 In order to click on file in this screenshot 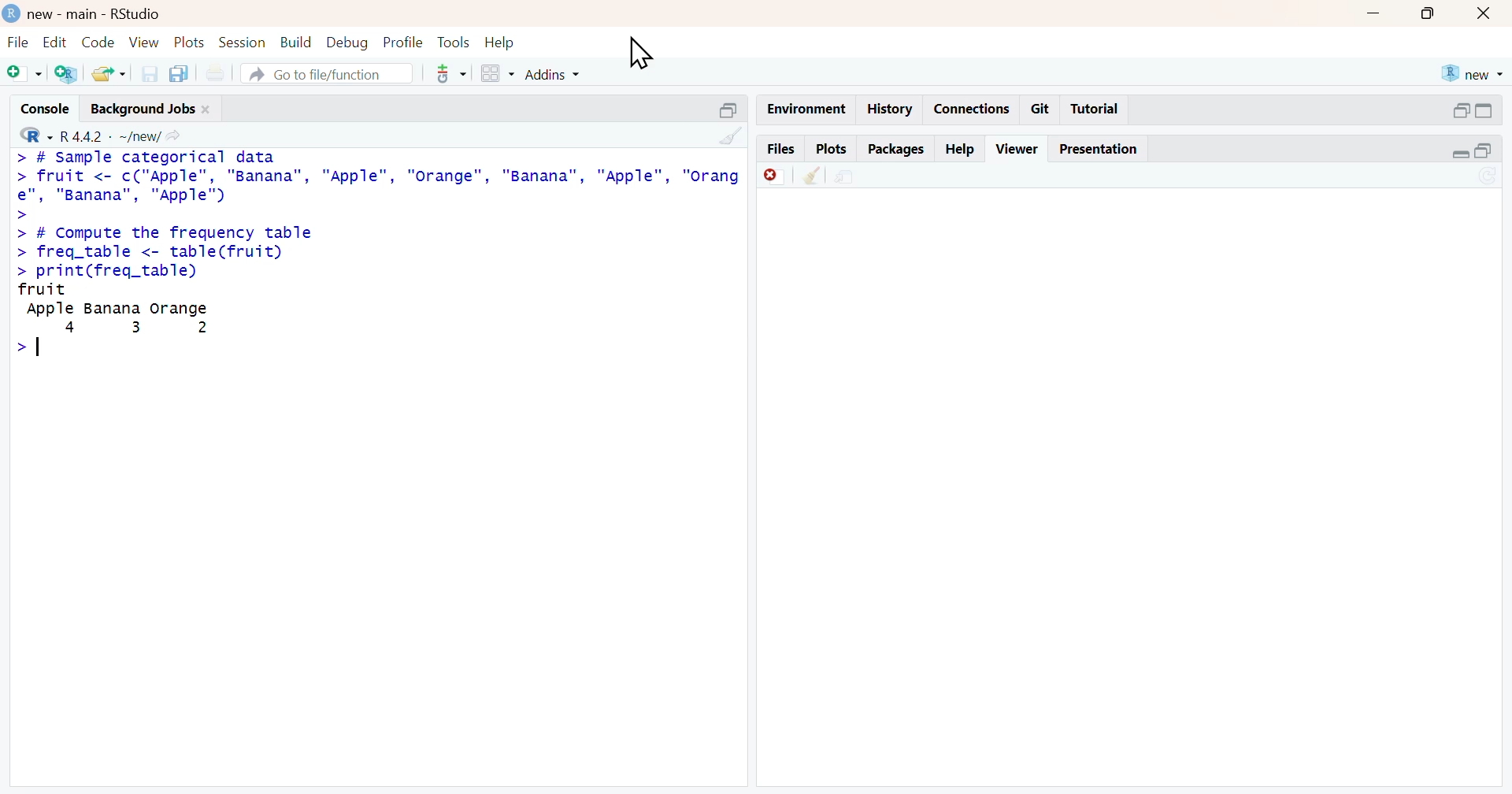, I will do `click(17, 43)`.